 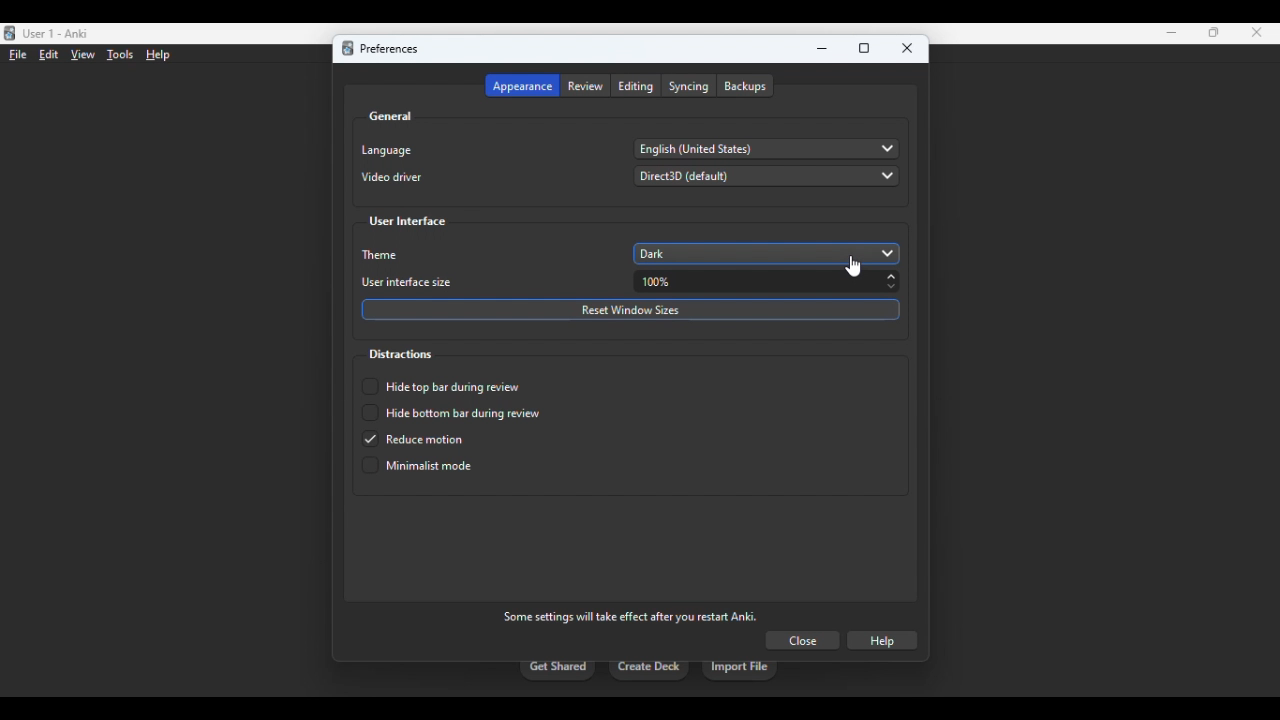 What do you see at coordinates (766, 176) in the screenshot?
I see `direct3D (default)` at bounding box center [766, 176].